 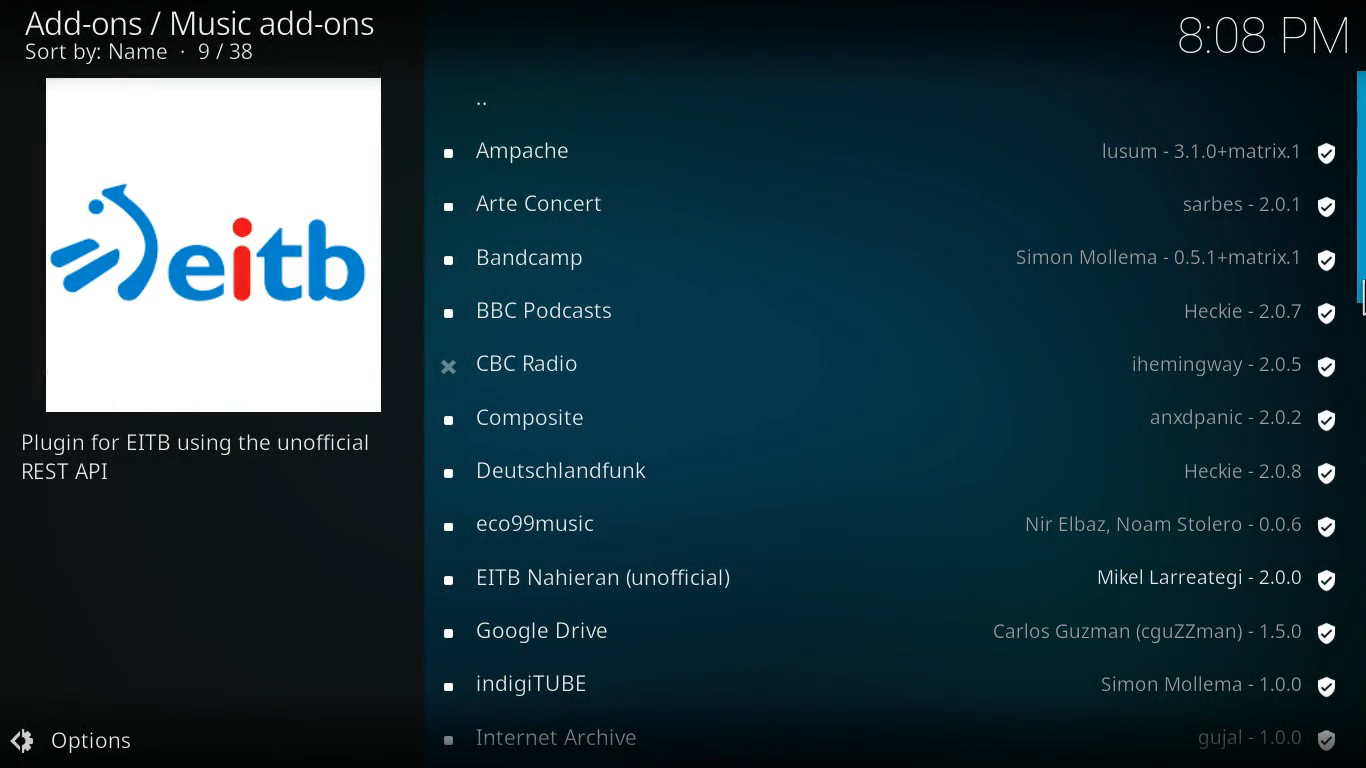 I want to click on add-on logo, so click(x=216, y=247).